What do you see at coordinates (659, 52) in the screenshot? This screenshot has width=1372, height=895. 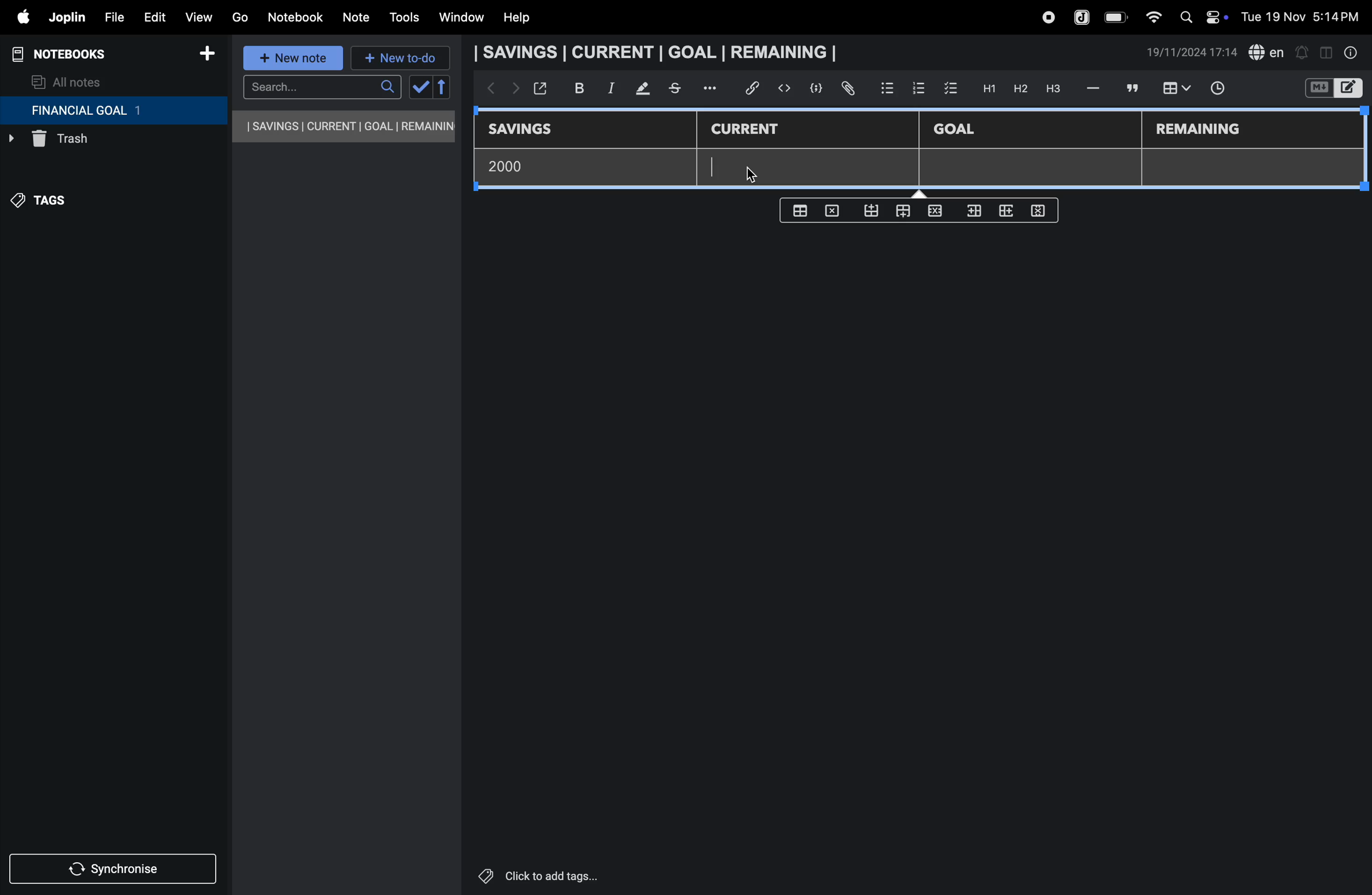 I see `savings current goal remaining` at bounding box center [659, 52].